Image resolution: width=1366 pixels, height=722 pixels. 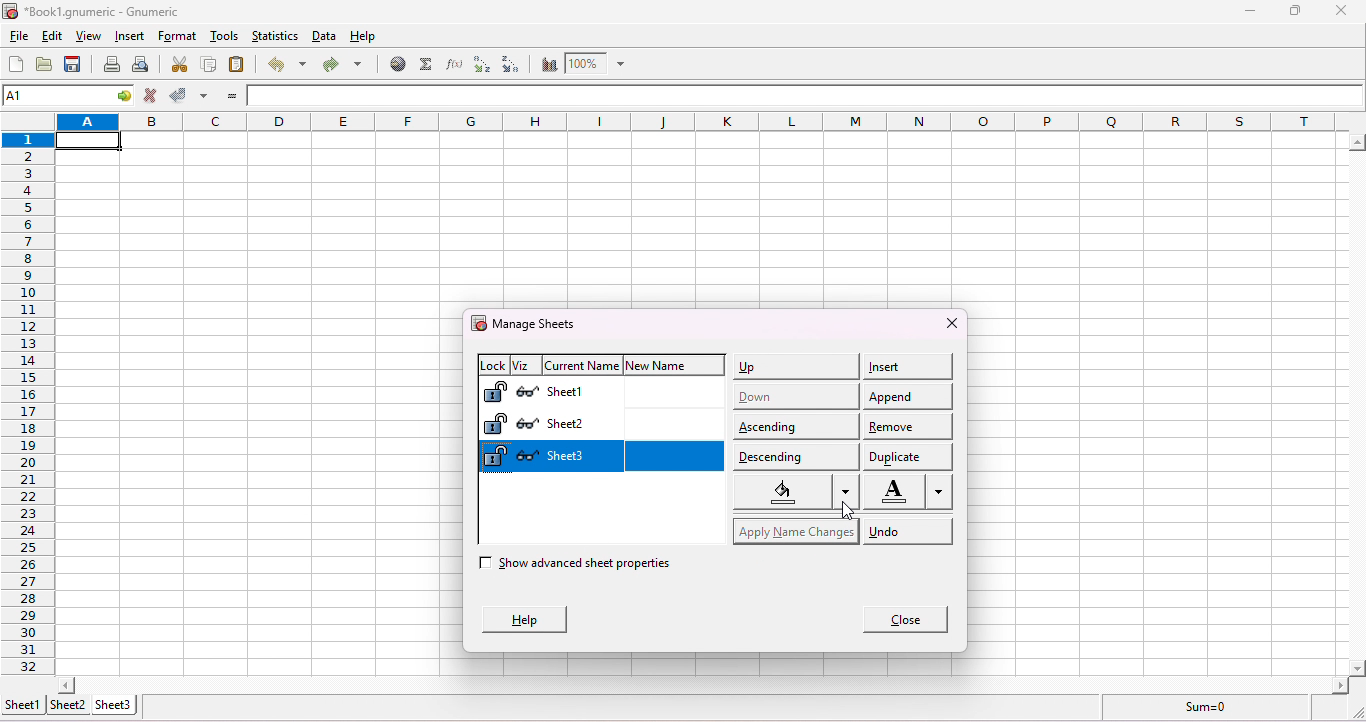 I want to click on sum into the current cell, so click(x=424, y=65).